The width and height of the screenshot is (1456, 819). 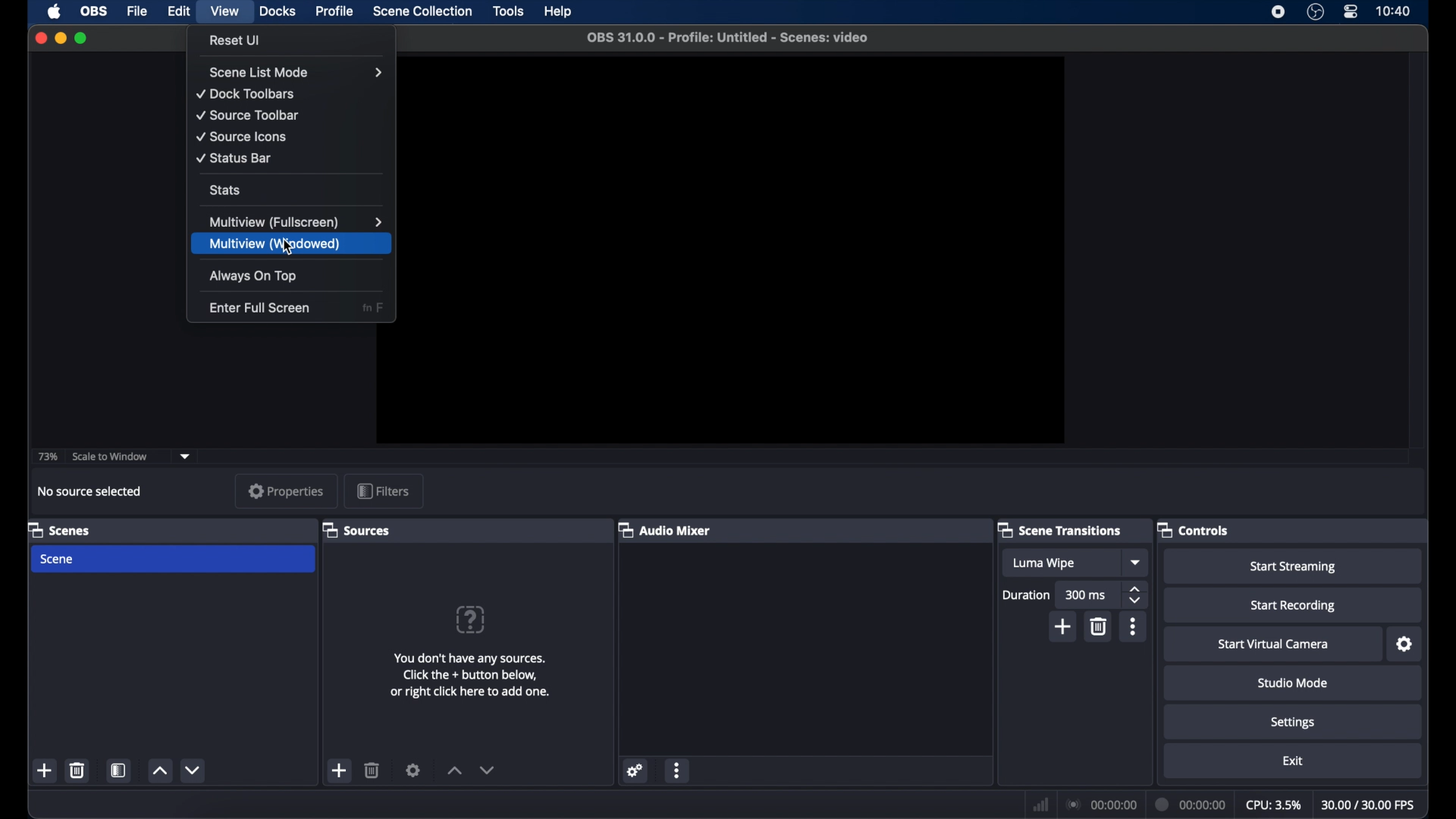 I want to click on studiomode, so click(x=1294, y=682).